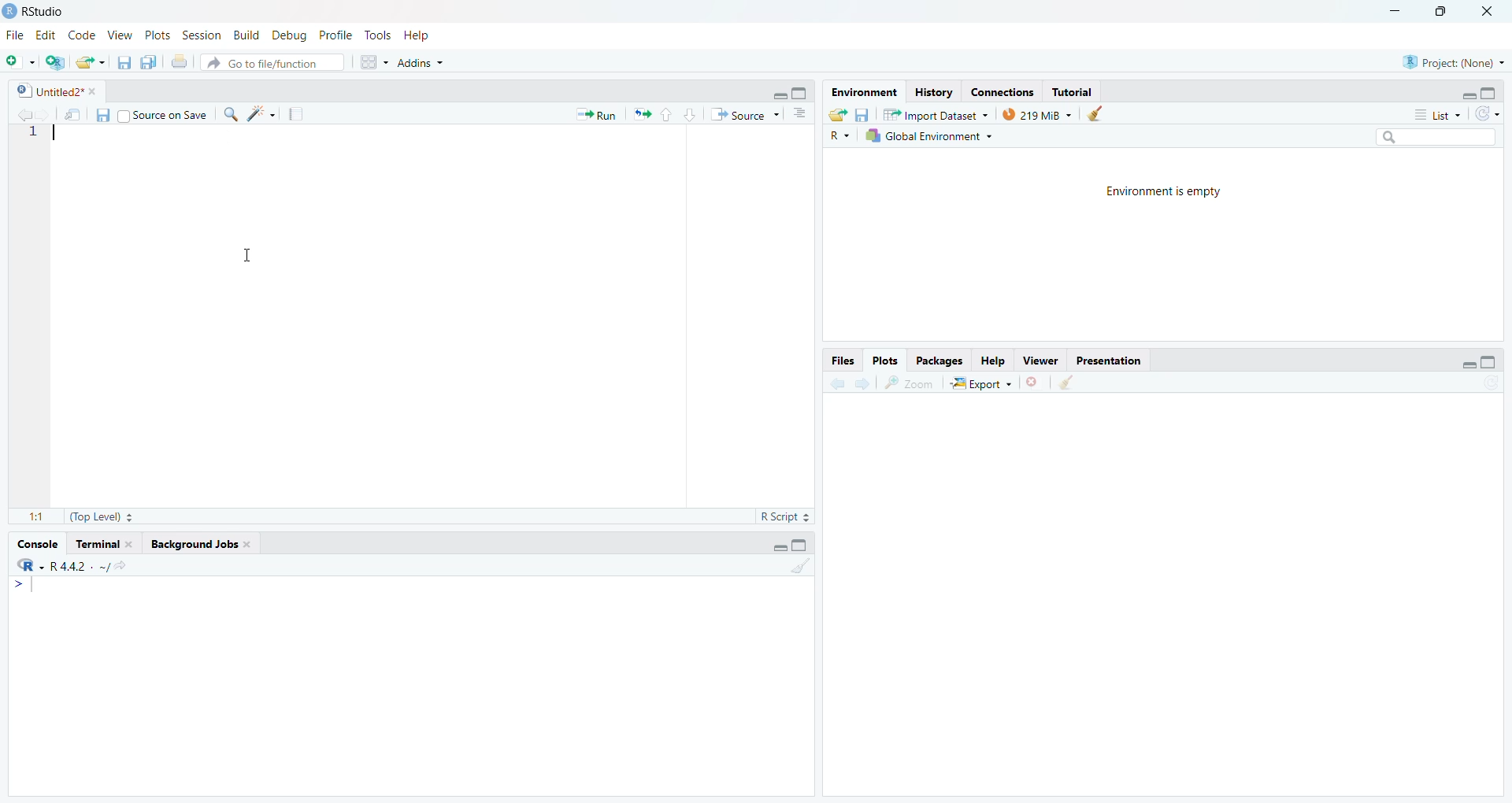  Describe the element at coordinates (838, 115) in the screenshot. I see `Load History from an existing file` at that location.